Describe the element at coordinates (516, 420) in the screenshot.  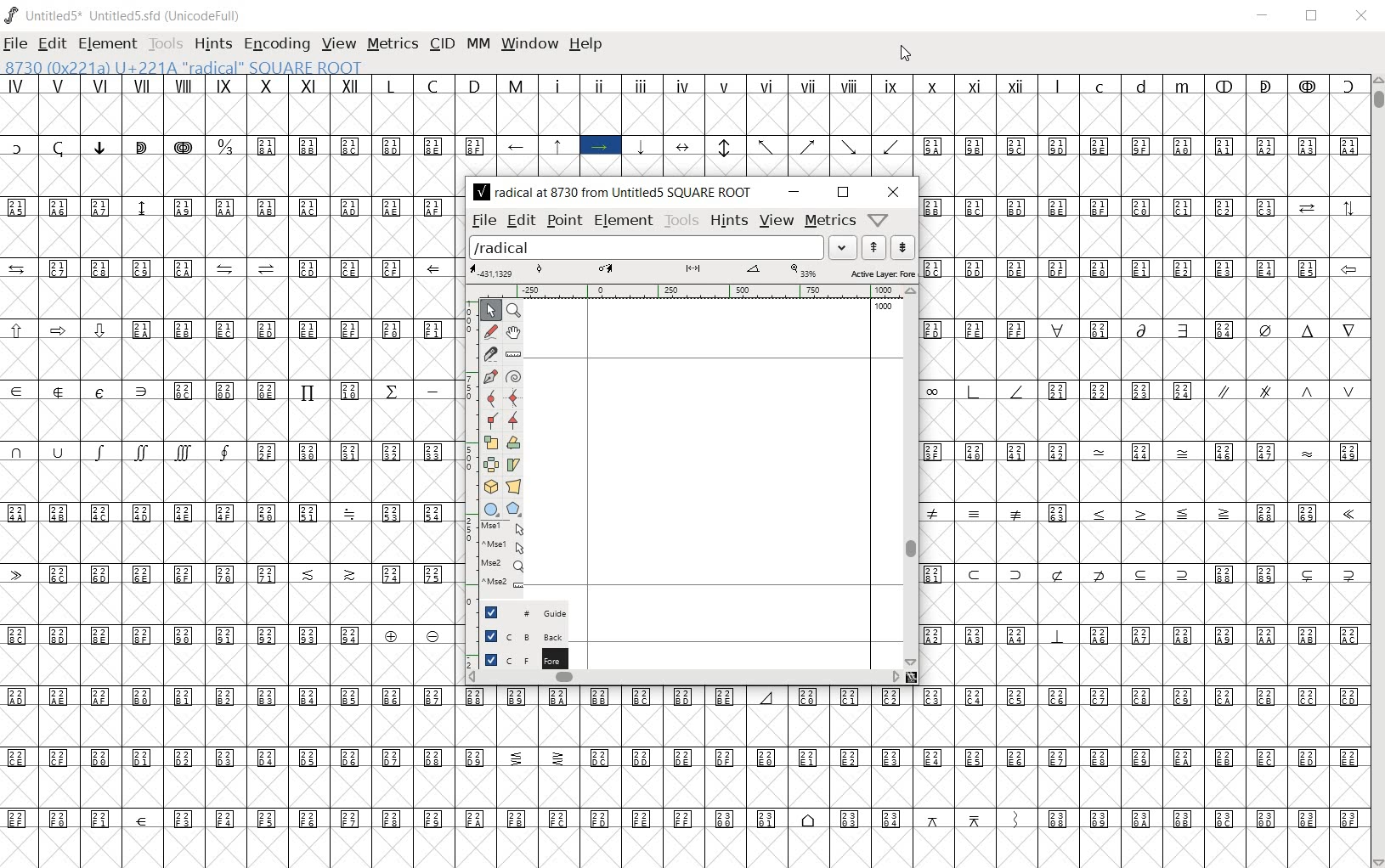
I see `Add a corner point` at that location.